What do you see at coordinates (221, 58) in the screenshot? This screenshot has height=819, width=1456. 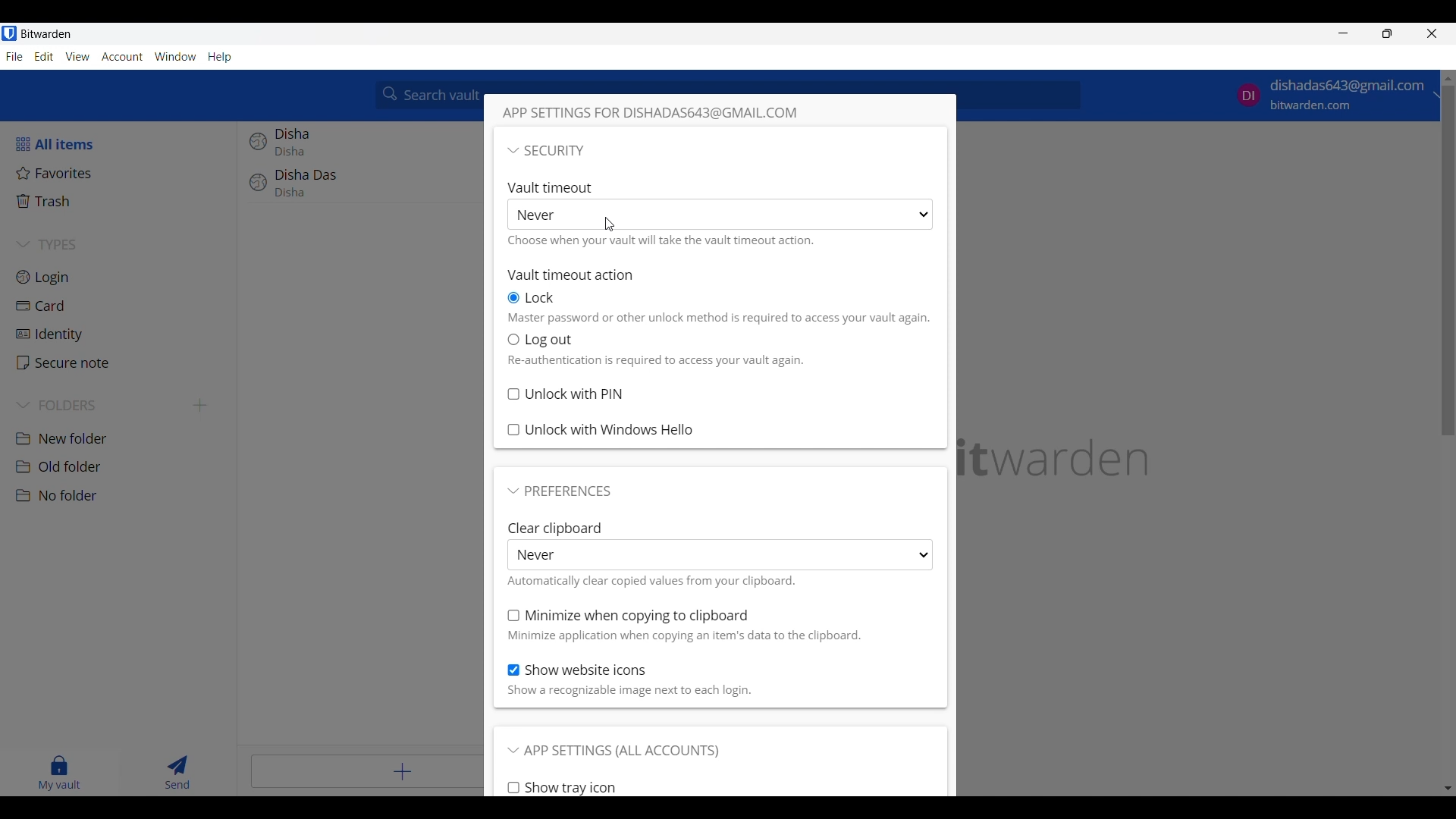 I see `Help menu` at bounding box center [221, 58].